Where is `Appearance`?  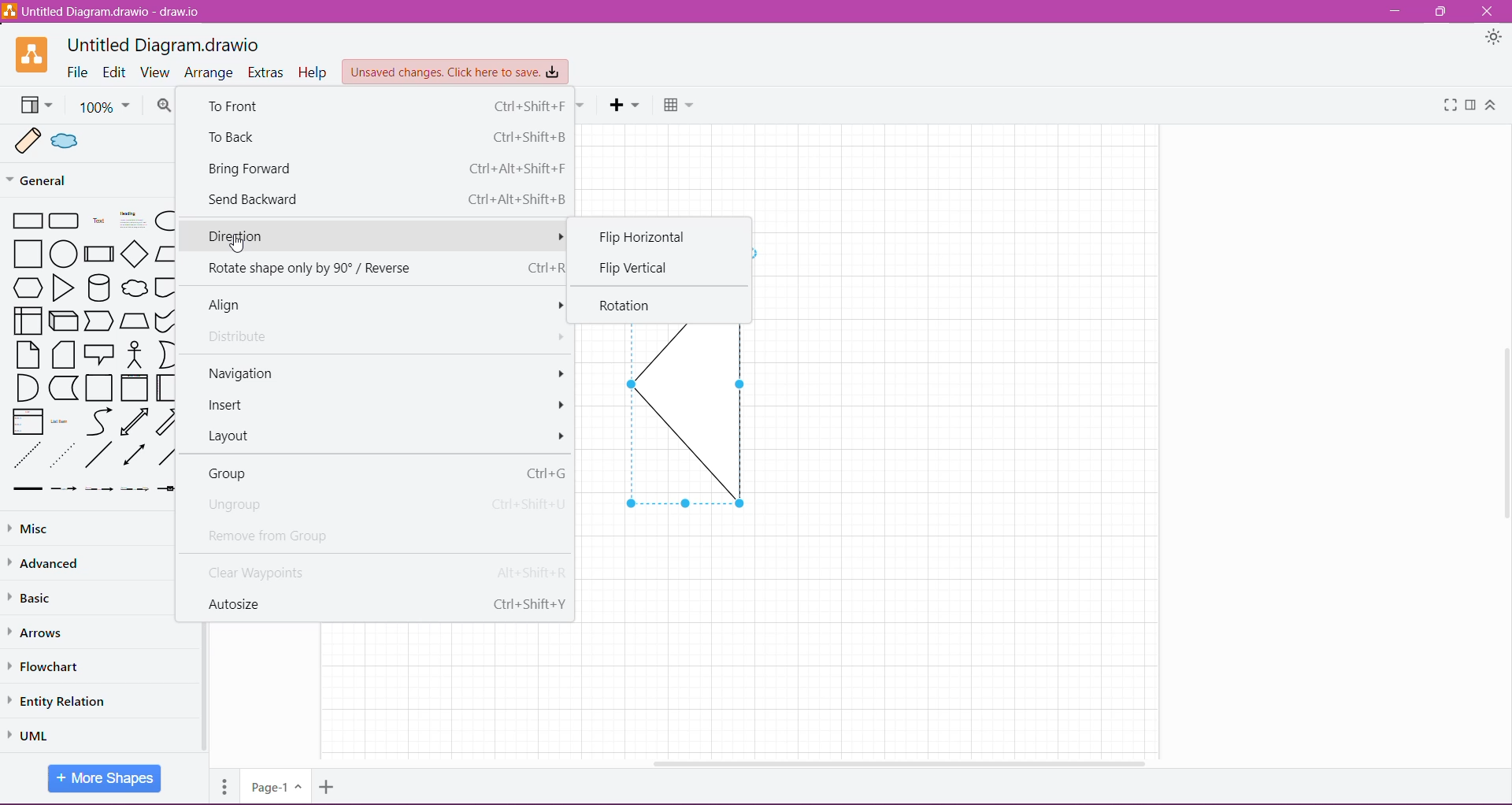
Appearance is located at coordinates (1493, 39).